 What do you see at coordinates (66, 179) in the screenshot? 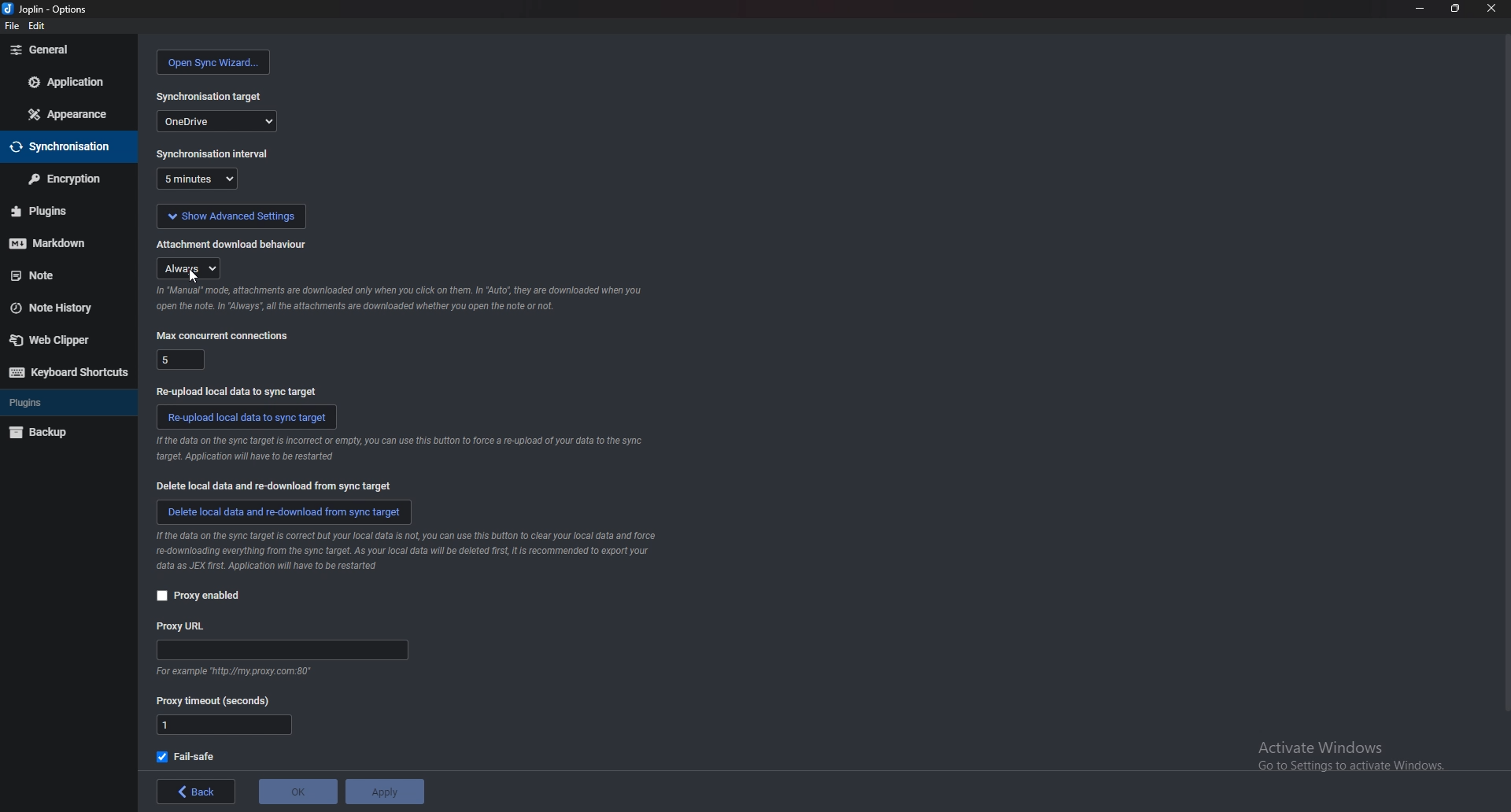
I see `encryption` at bounding box center [66, 179].